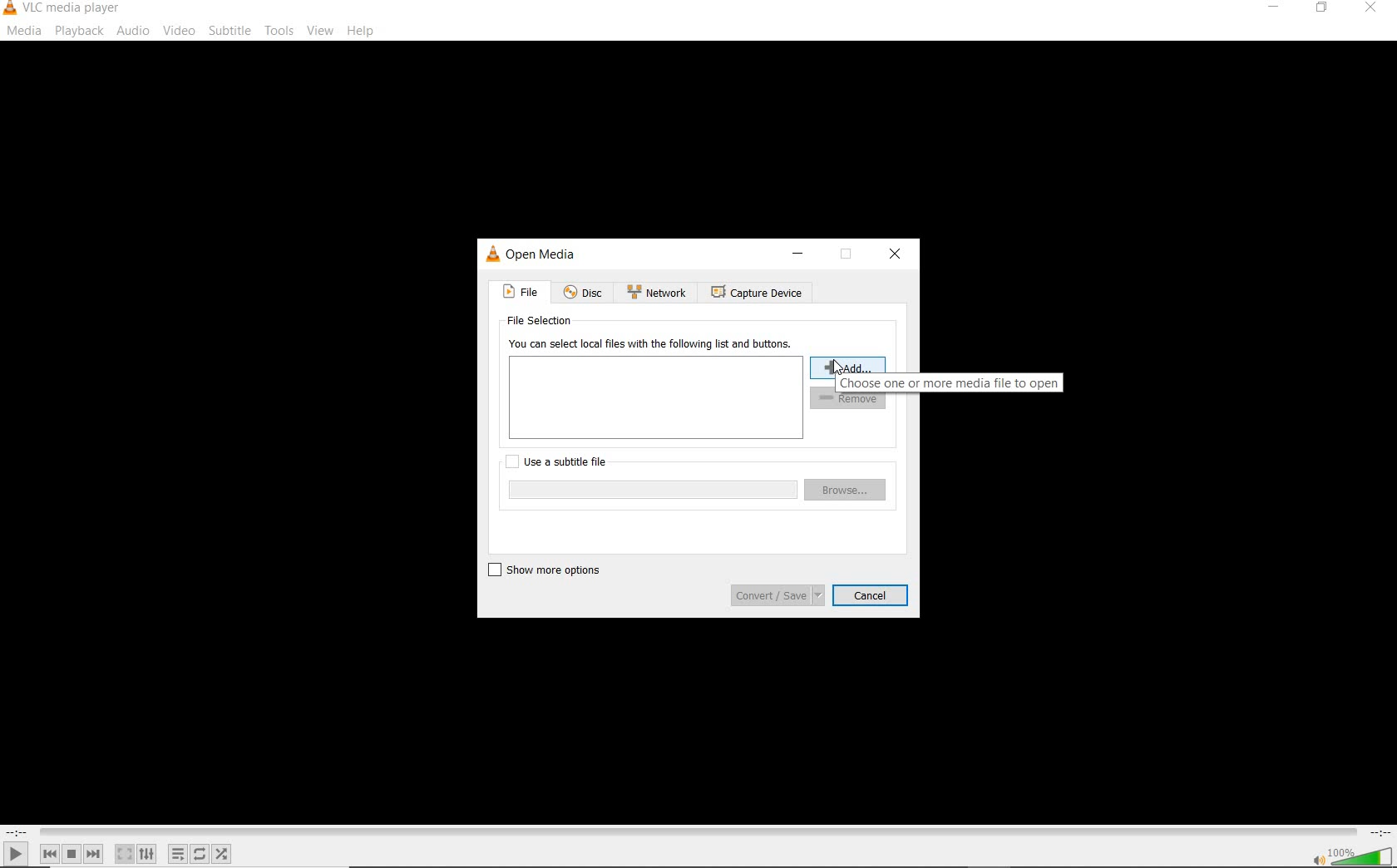  I want to click on choose one or more media file to open, so click(950, 382).